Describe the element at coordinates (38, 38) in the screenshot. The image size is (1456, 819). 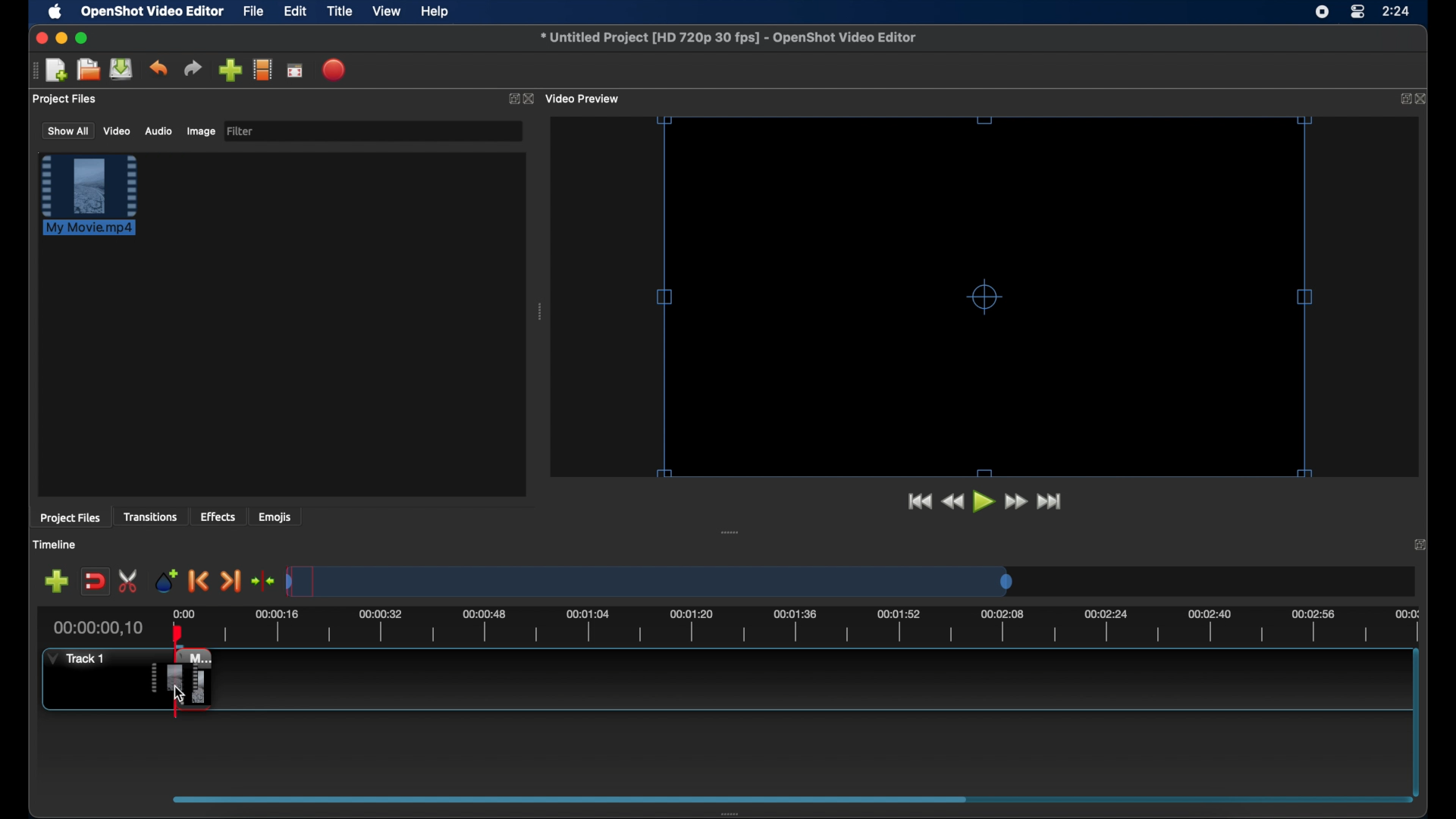
I see `close` at that location.